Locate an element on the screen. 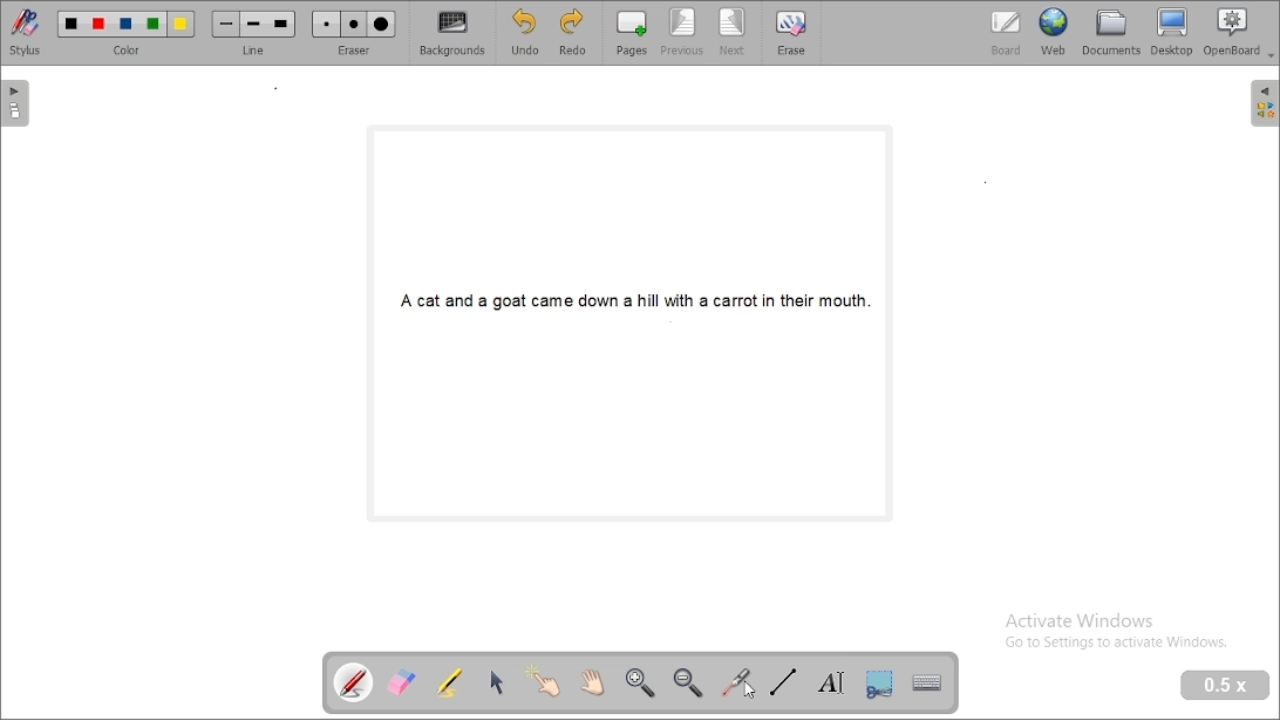 The image size is (1280, 720). eraser is located at coordinates (353, 33).